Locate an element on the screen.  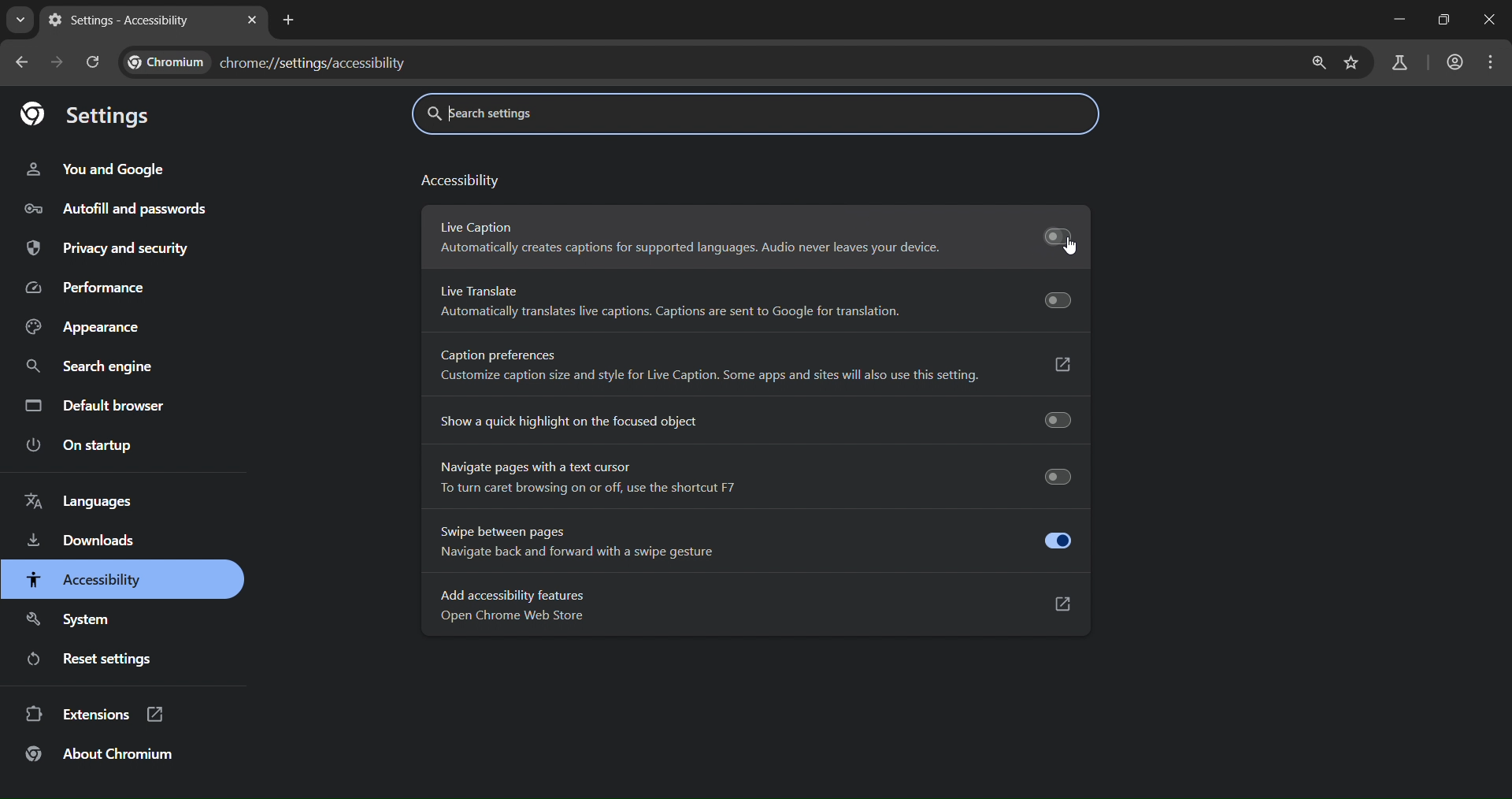
you and google is located at coordinates (96, 167).